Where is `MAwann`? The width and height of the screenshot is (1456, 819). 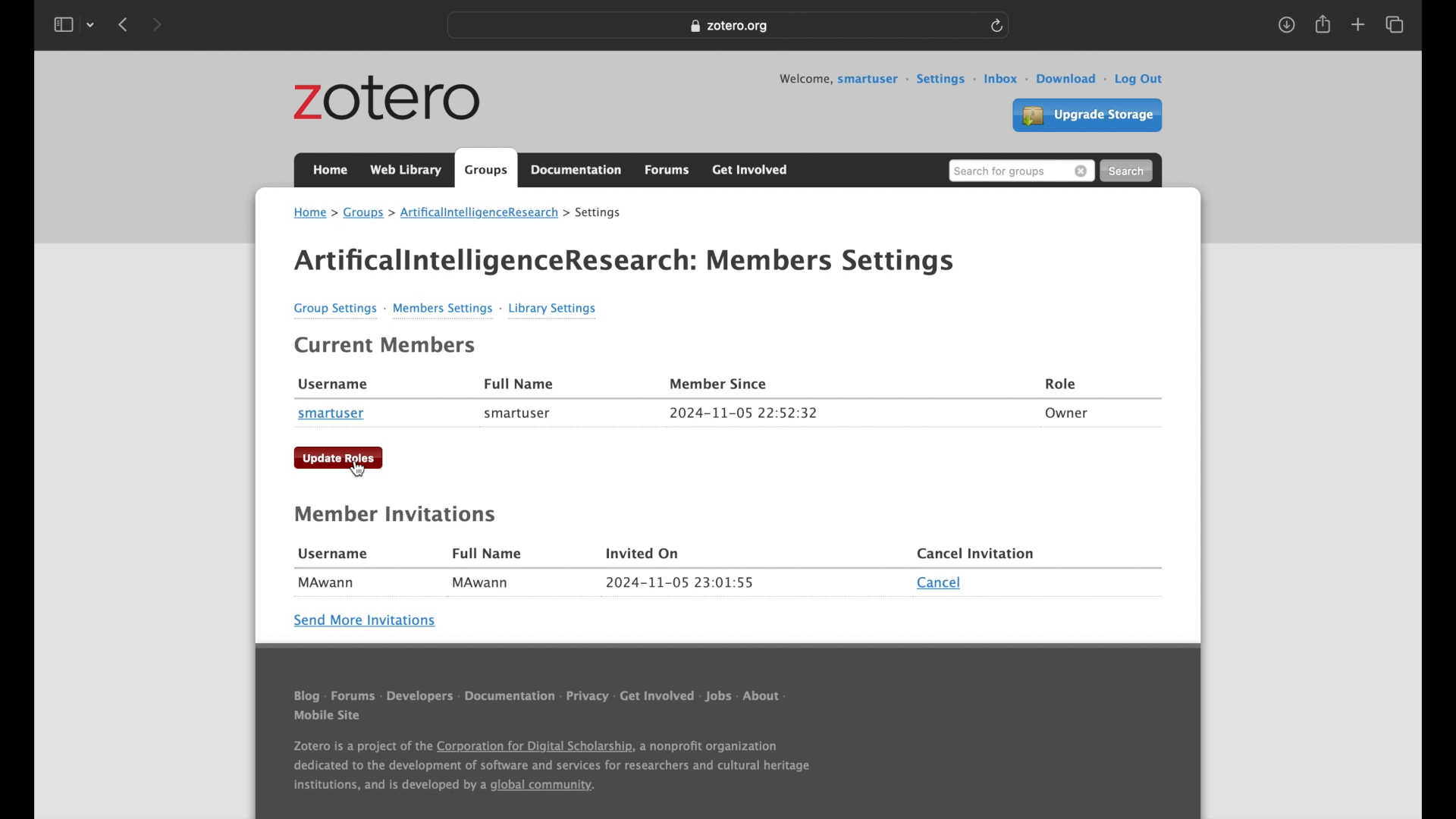
MAwann is located at coordinates (480, 584).